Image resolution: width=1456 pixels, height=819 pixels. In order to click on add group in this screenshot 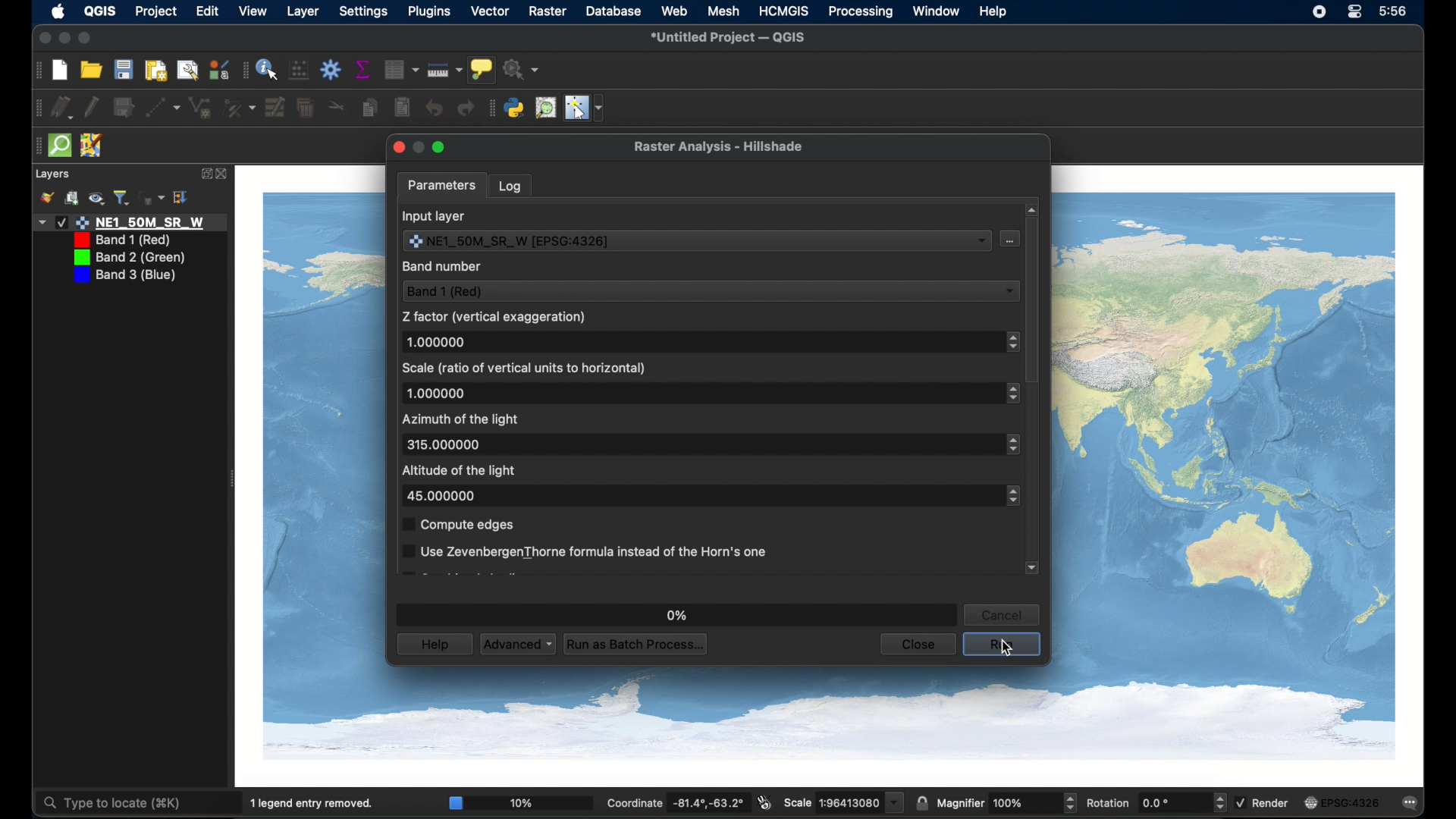, I will do `click(72, 197)`.